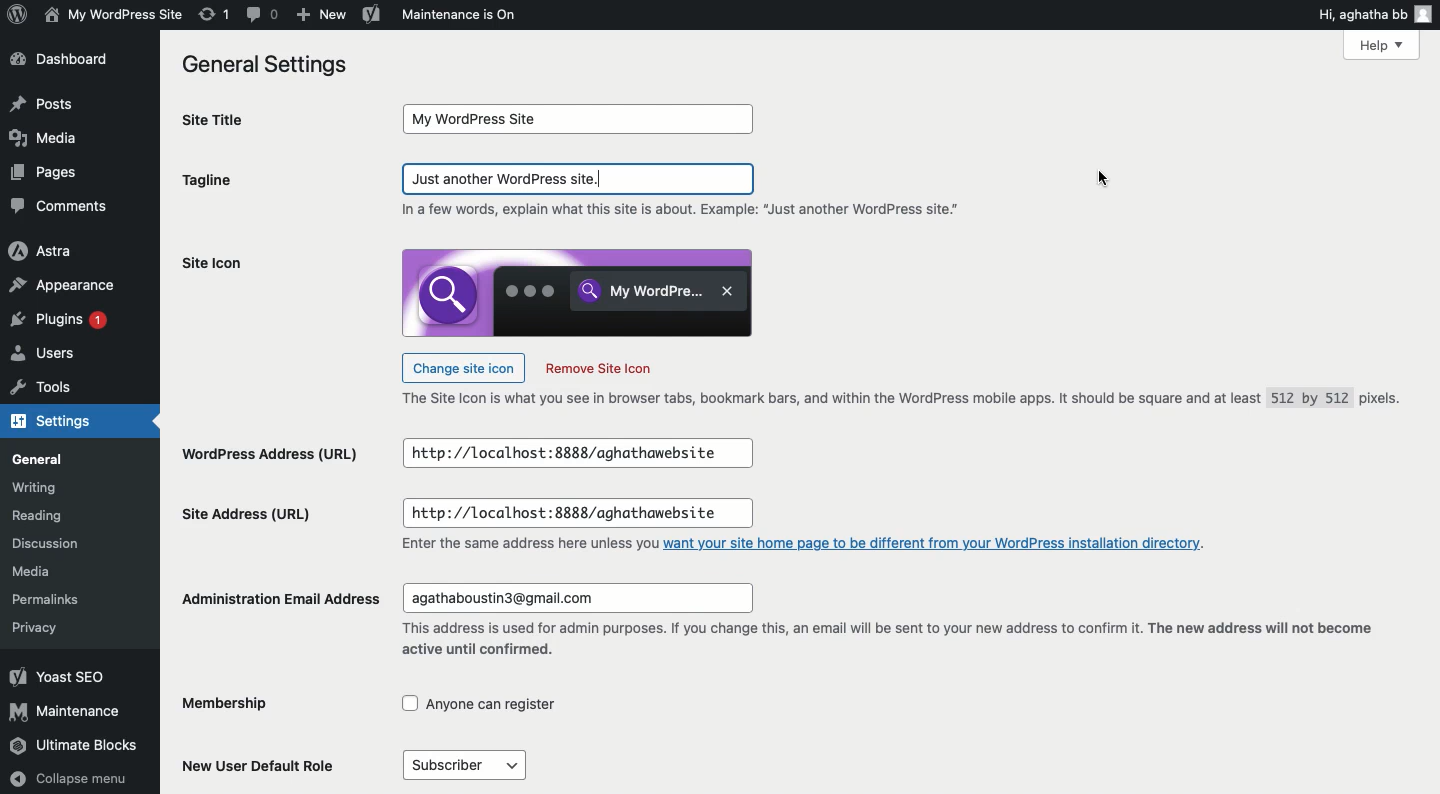 The width and height of the screenshot is (1440, 794). Describe the element at coordinates (43, 391) in the screenshot. I see `Tools` at that location.